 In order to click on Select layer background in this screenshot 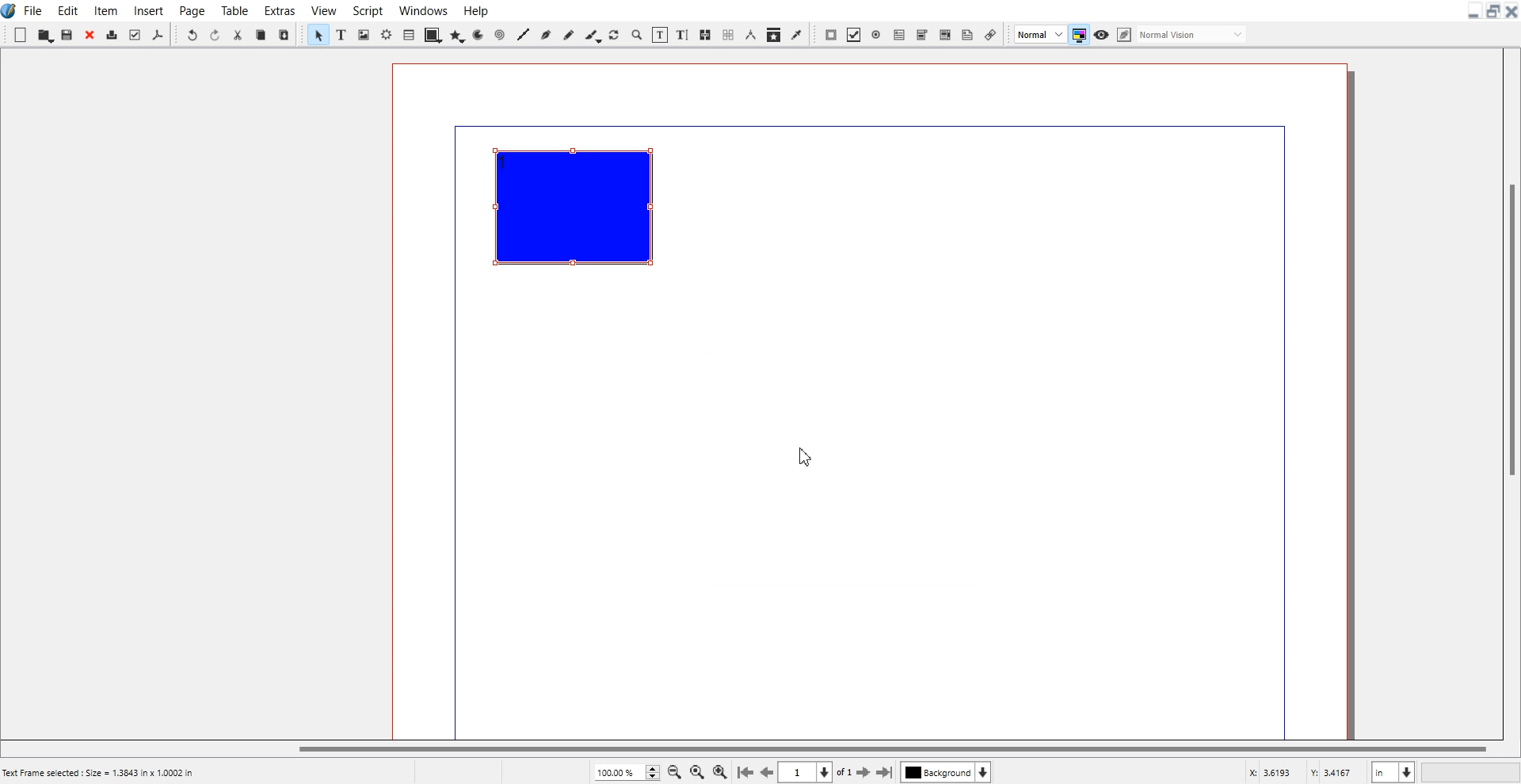, I will do `click(945, 772)`.